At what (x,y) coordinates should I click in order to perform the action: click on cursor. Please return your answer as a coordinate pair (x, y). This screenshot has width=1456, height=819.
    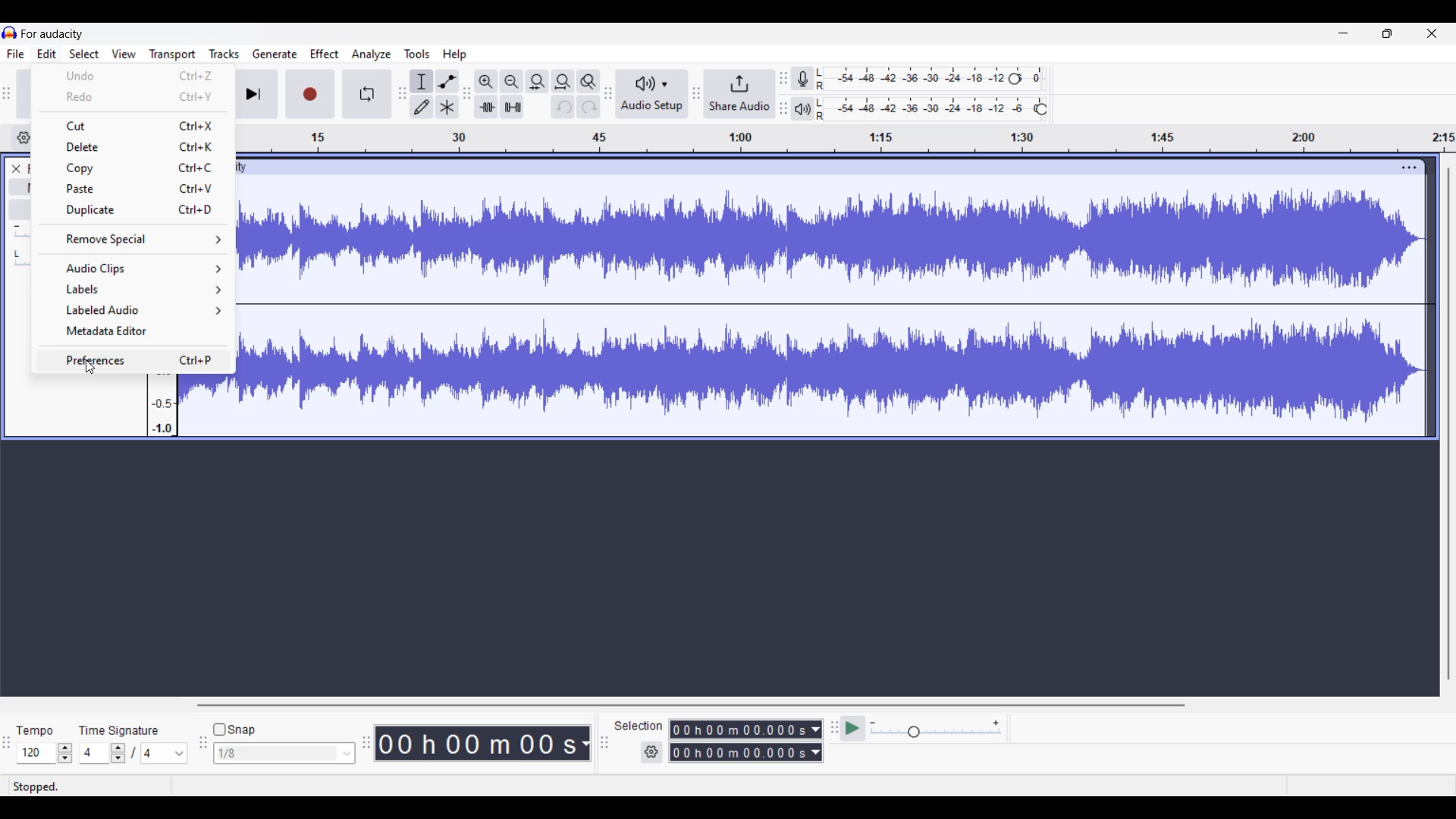
    Looking at the image, I should click on (89, 371).